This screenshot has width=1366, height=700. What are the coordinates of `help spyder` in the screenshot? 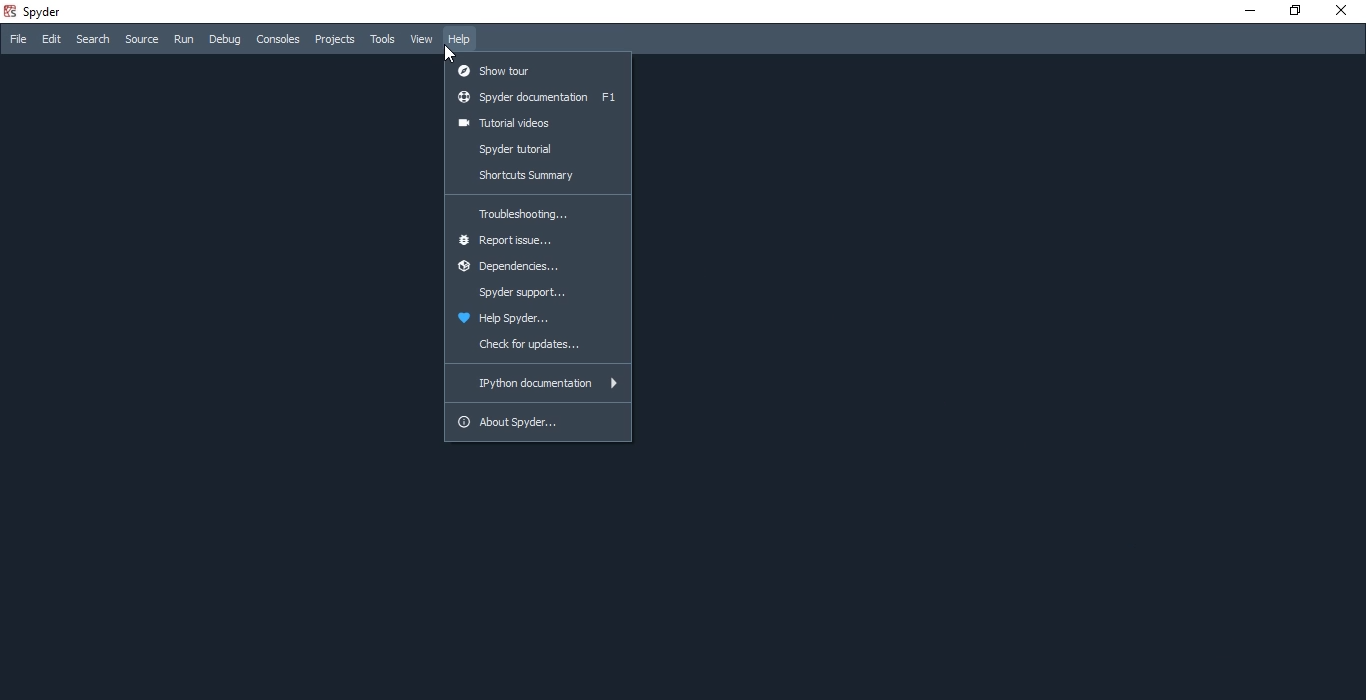 It's located at (535, 315).